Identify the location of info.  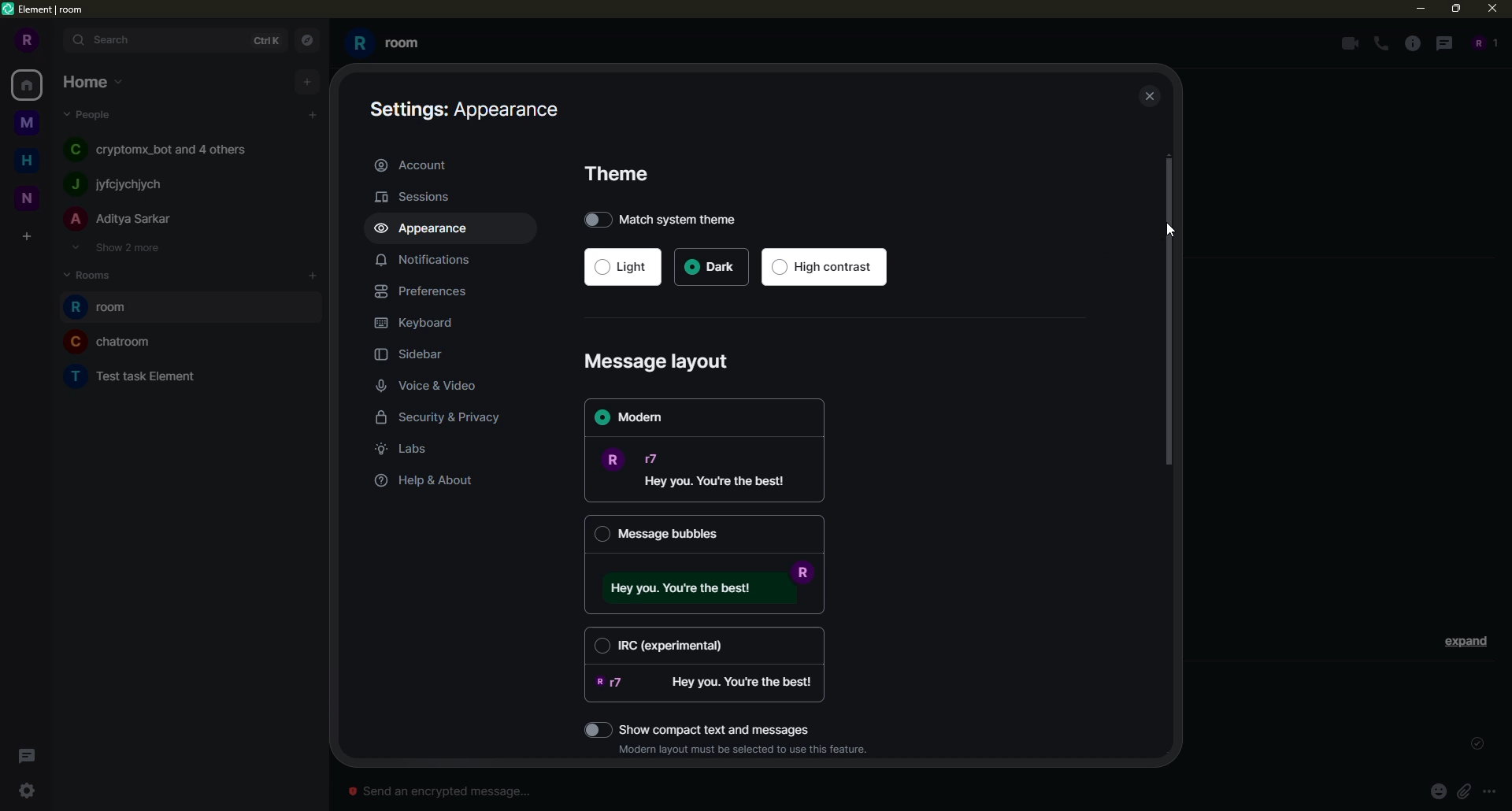
(1413, 43).